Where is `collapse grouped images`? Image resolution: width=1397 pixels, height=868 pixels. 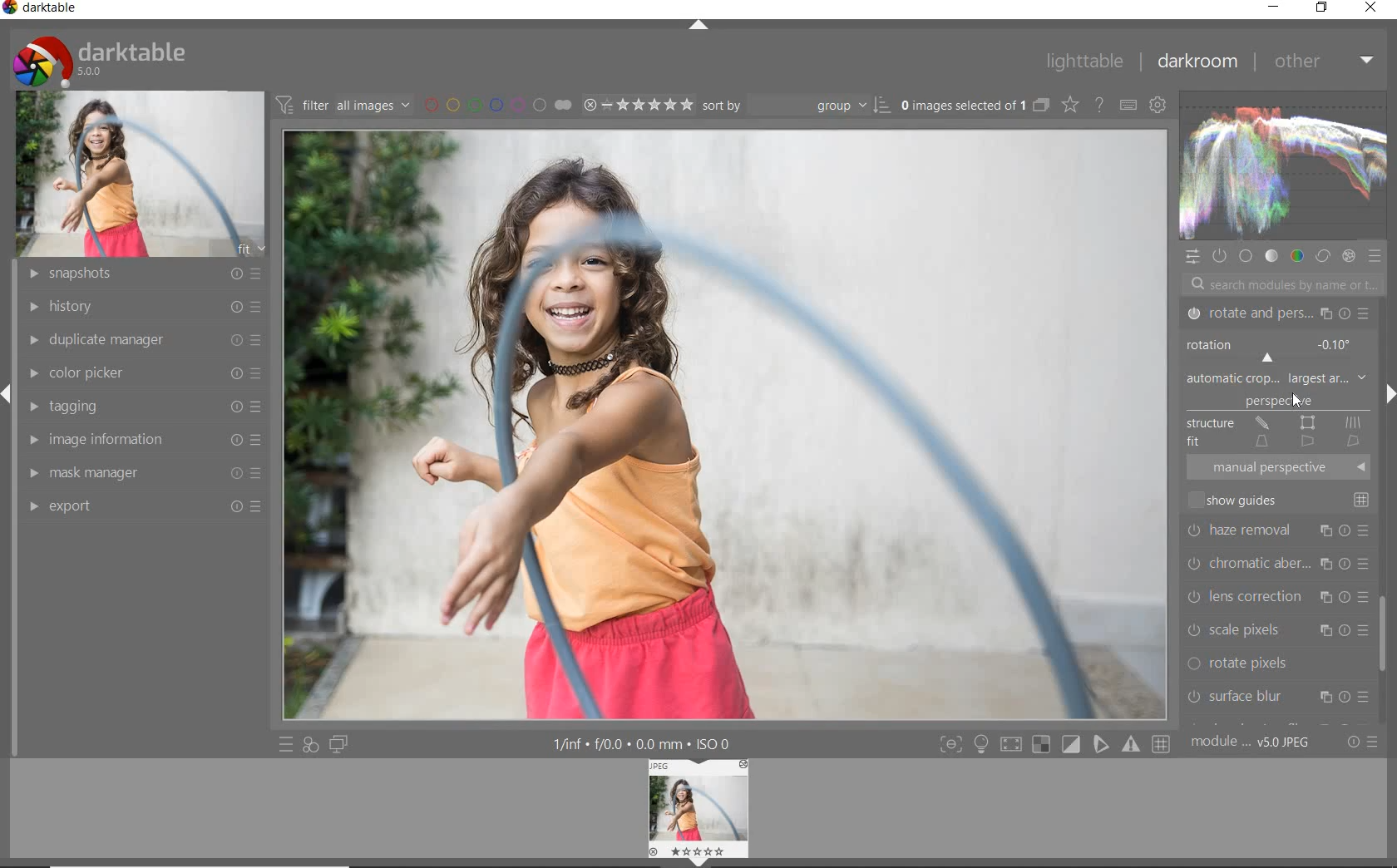 collapse grouped images is located at coordinates (1041, 106).